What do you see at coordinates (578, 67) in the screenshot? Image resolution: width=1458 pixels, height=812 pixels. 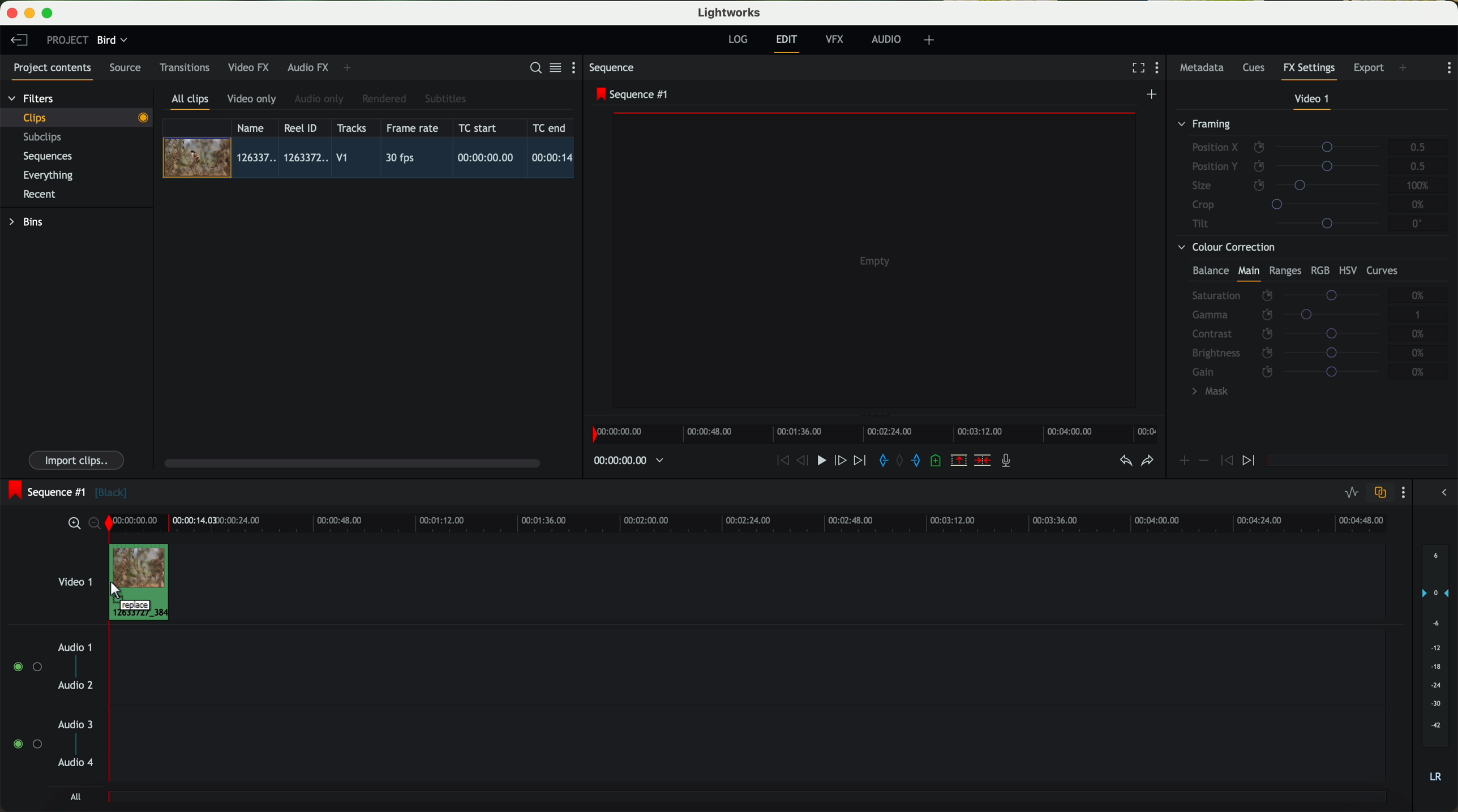 I see `show settings menu` at bounding box center [578, 67].